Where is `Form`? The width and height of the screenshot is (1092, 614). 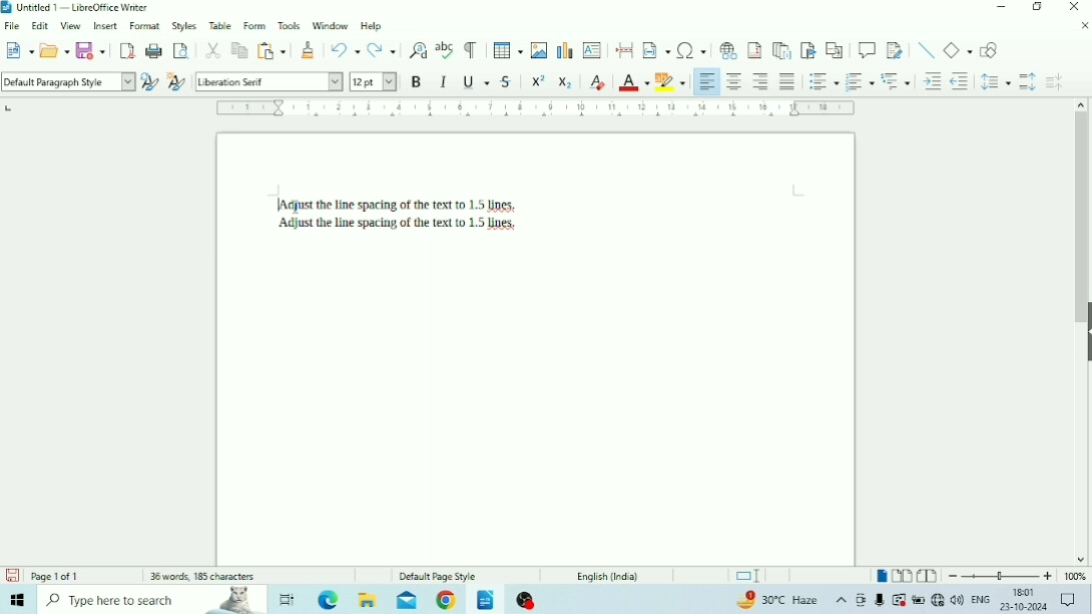
Form is located at coordinates (255, 26).